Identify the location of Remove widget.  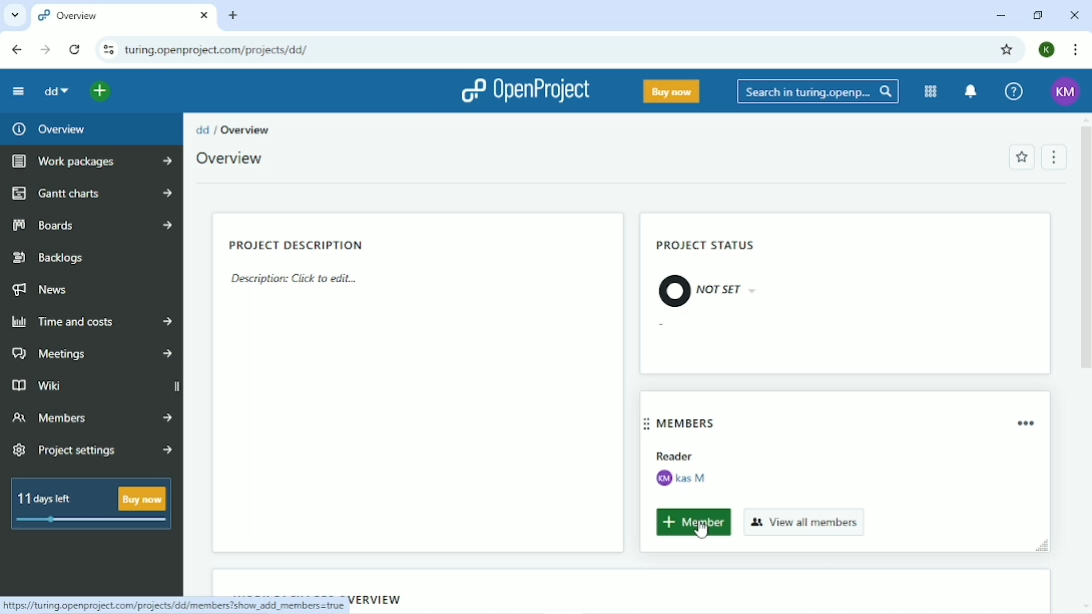
(1028, 423).